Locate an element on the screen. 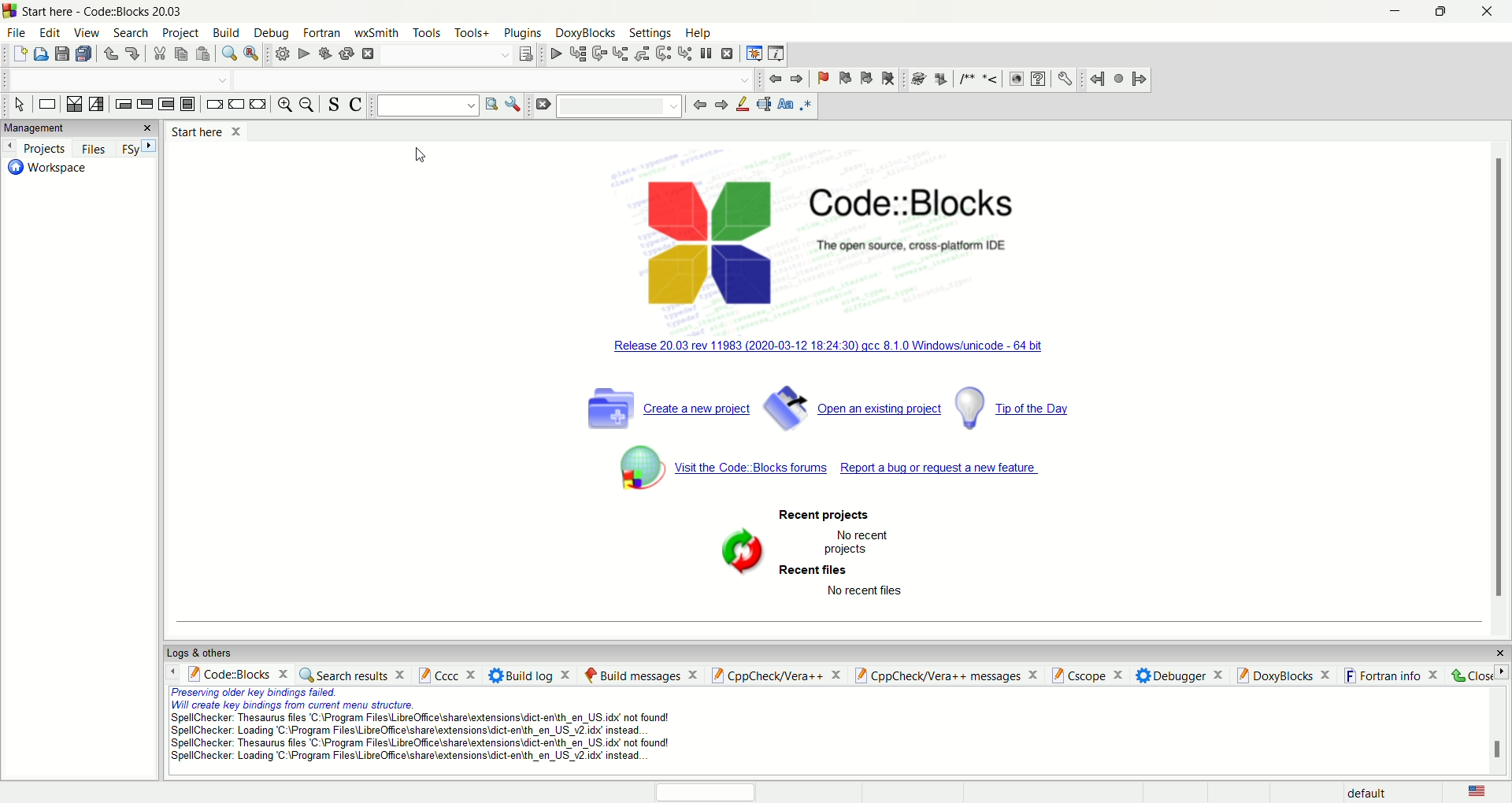 The width and height of the screenshot is (1512, 803). entry condition loop is located at coordinates (124, 103).